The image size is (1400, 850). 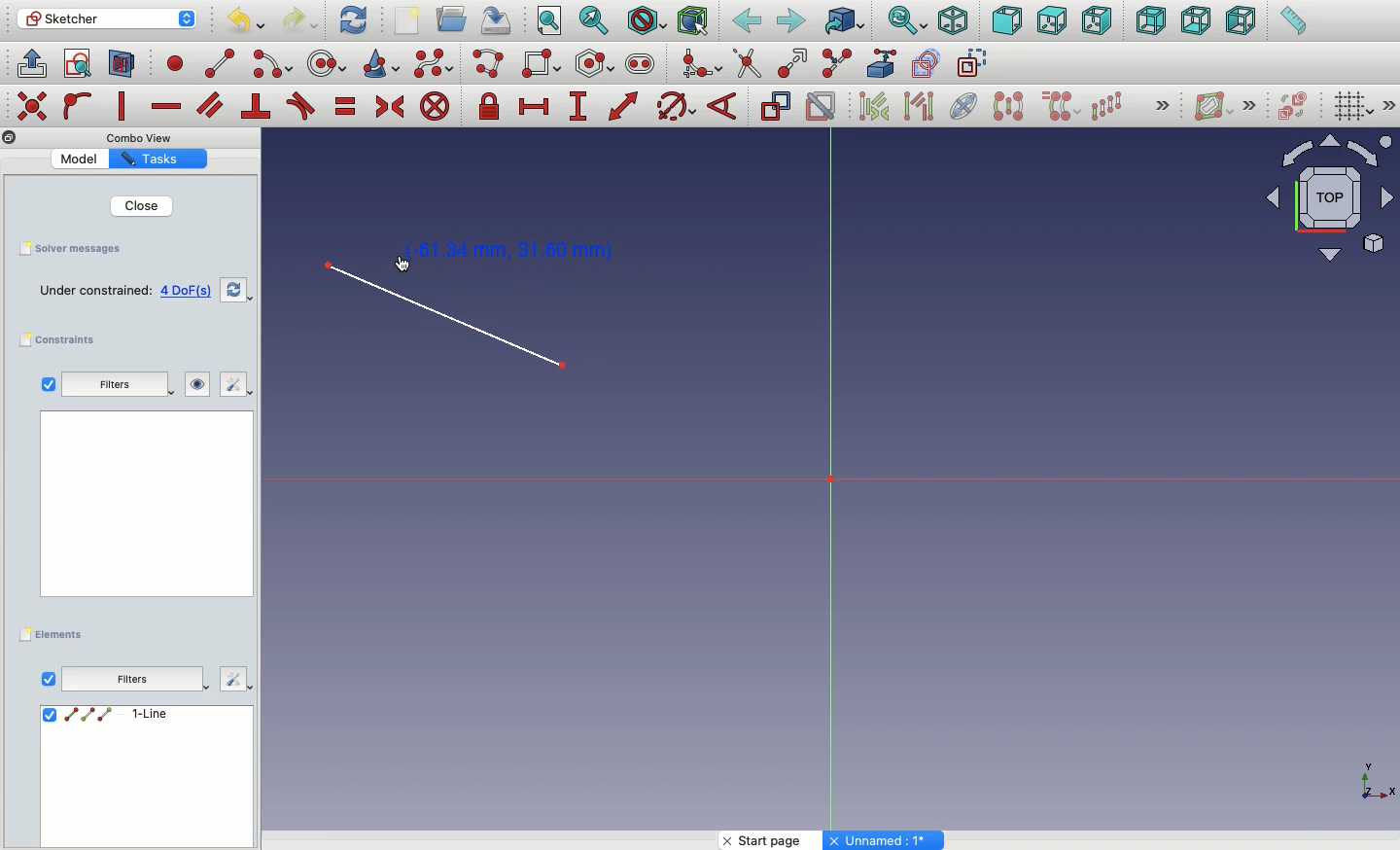 What do you see at coordinates (353, 20) in the screenshot?
I see `Refresh` at bounding box center [353, 20].